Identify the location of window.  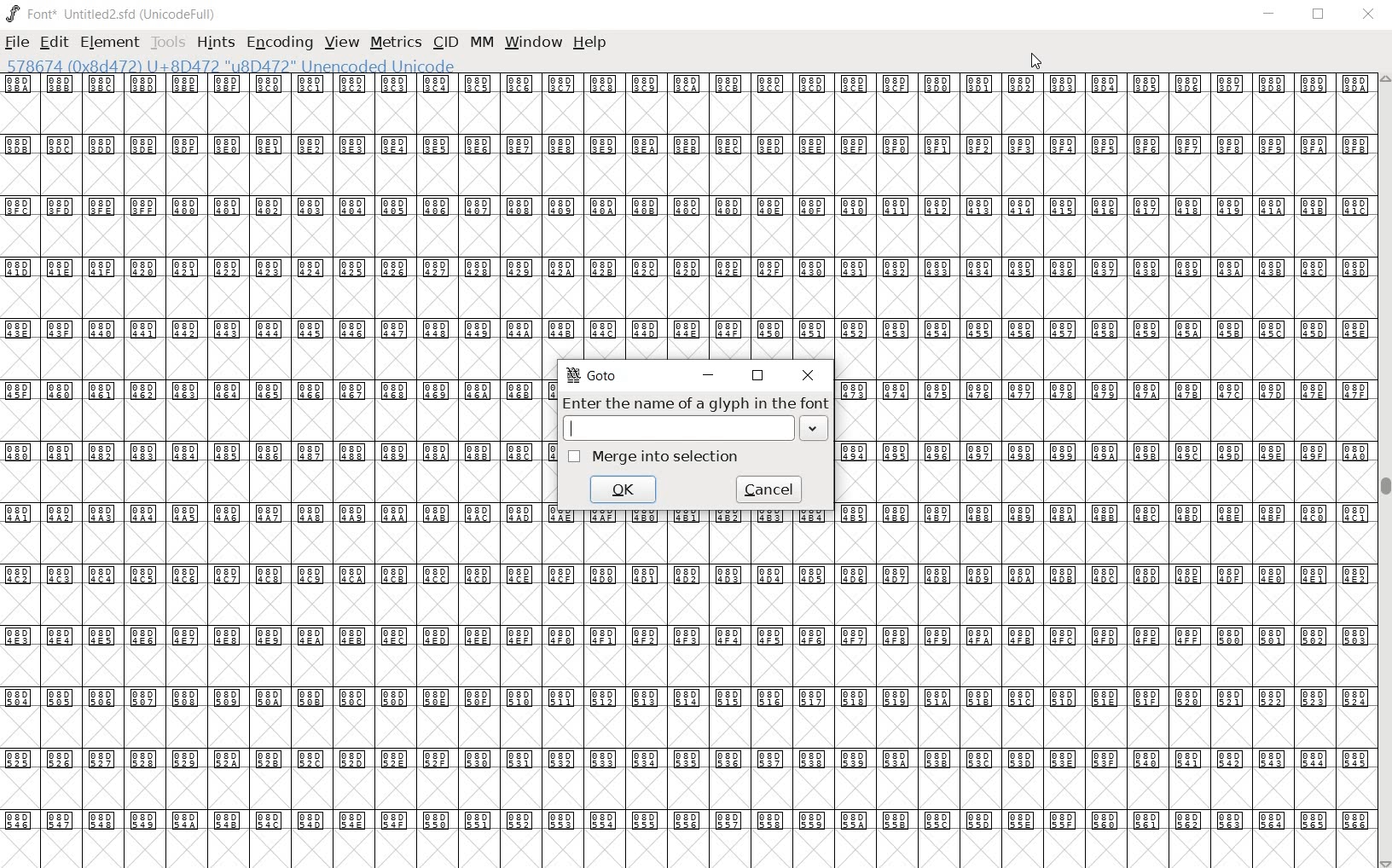
(535, 43).